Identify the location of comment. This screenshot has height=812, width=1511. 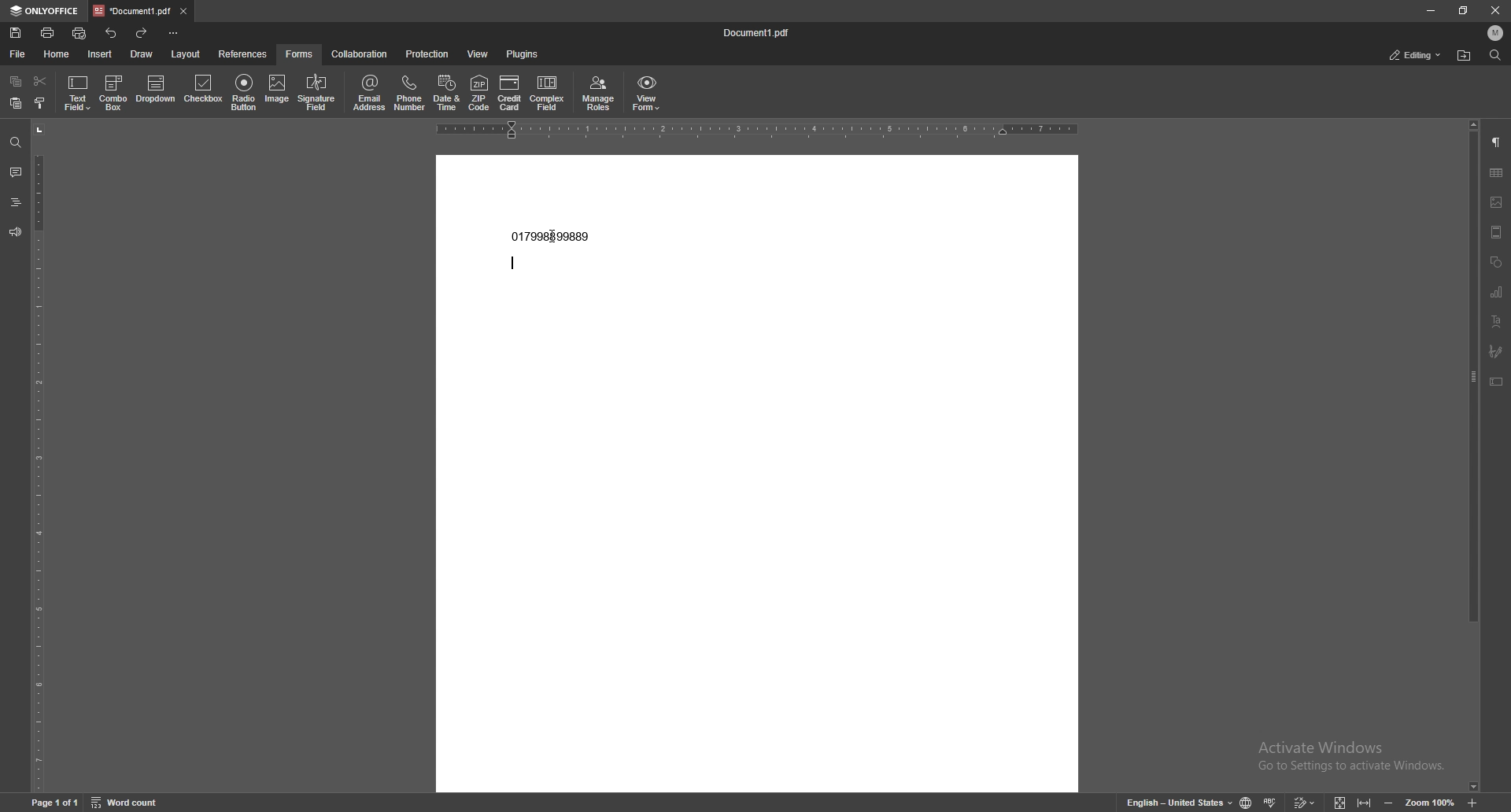
(15, 172).